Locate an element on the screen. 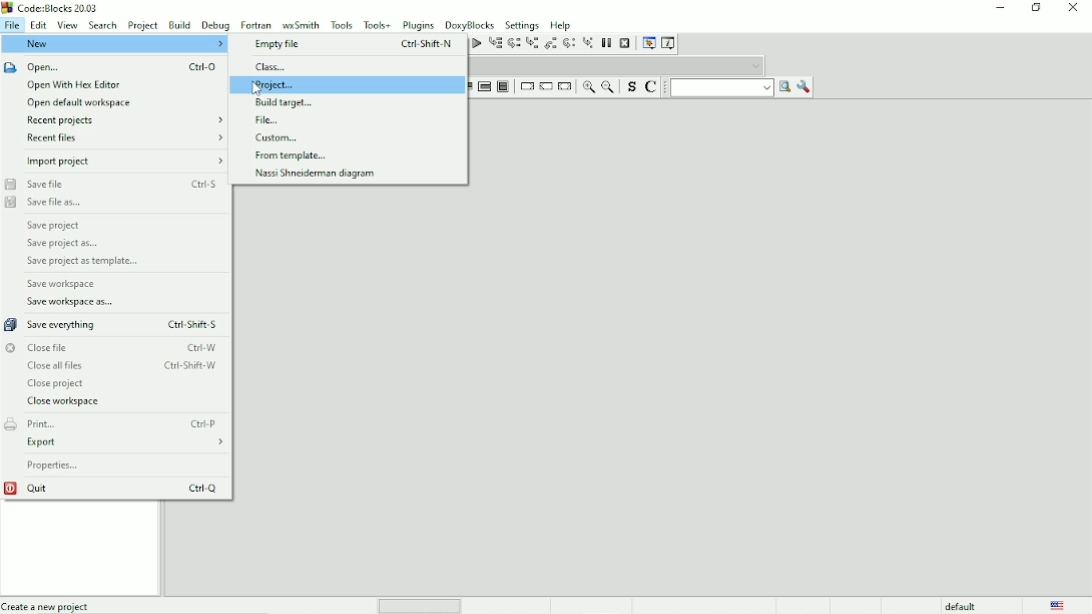  Toggle comments is located at coordinates (653, 86).